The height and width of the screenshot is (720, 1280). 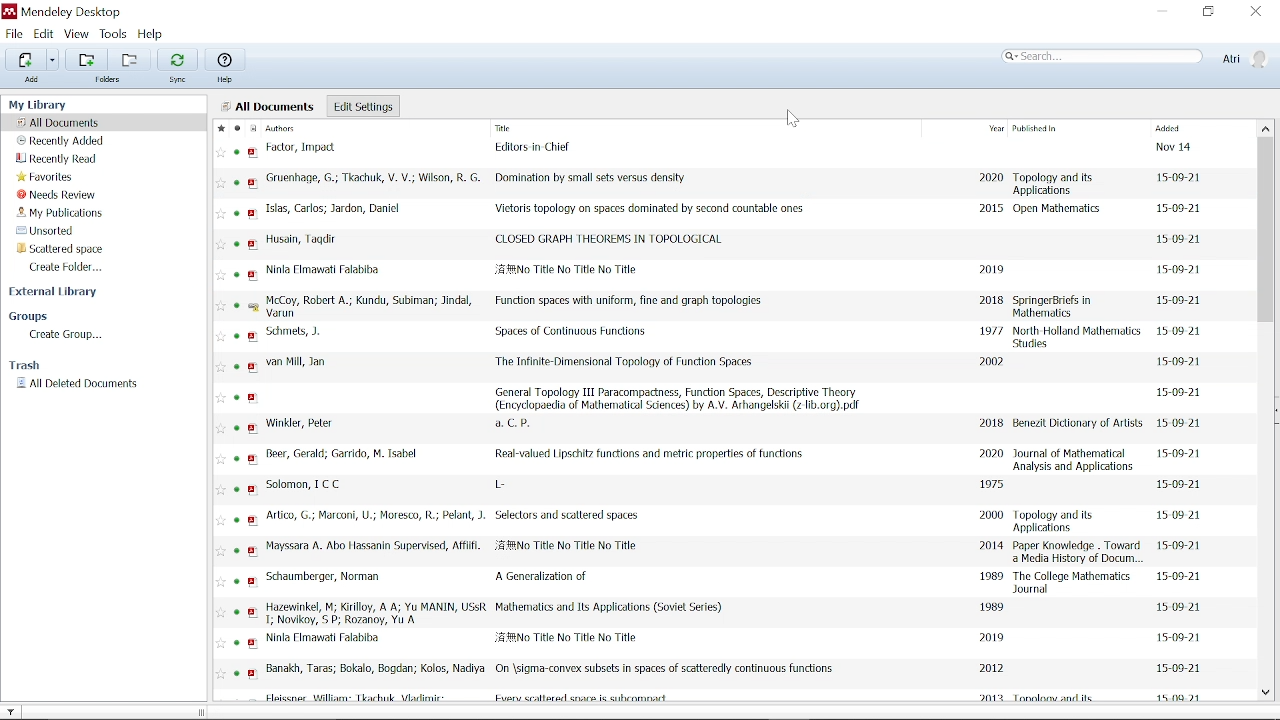 I want to click on Add files options, so click(x=53, y=62).